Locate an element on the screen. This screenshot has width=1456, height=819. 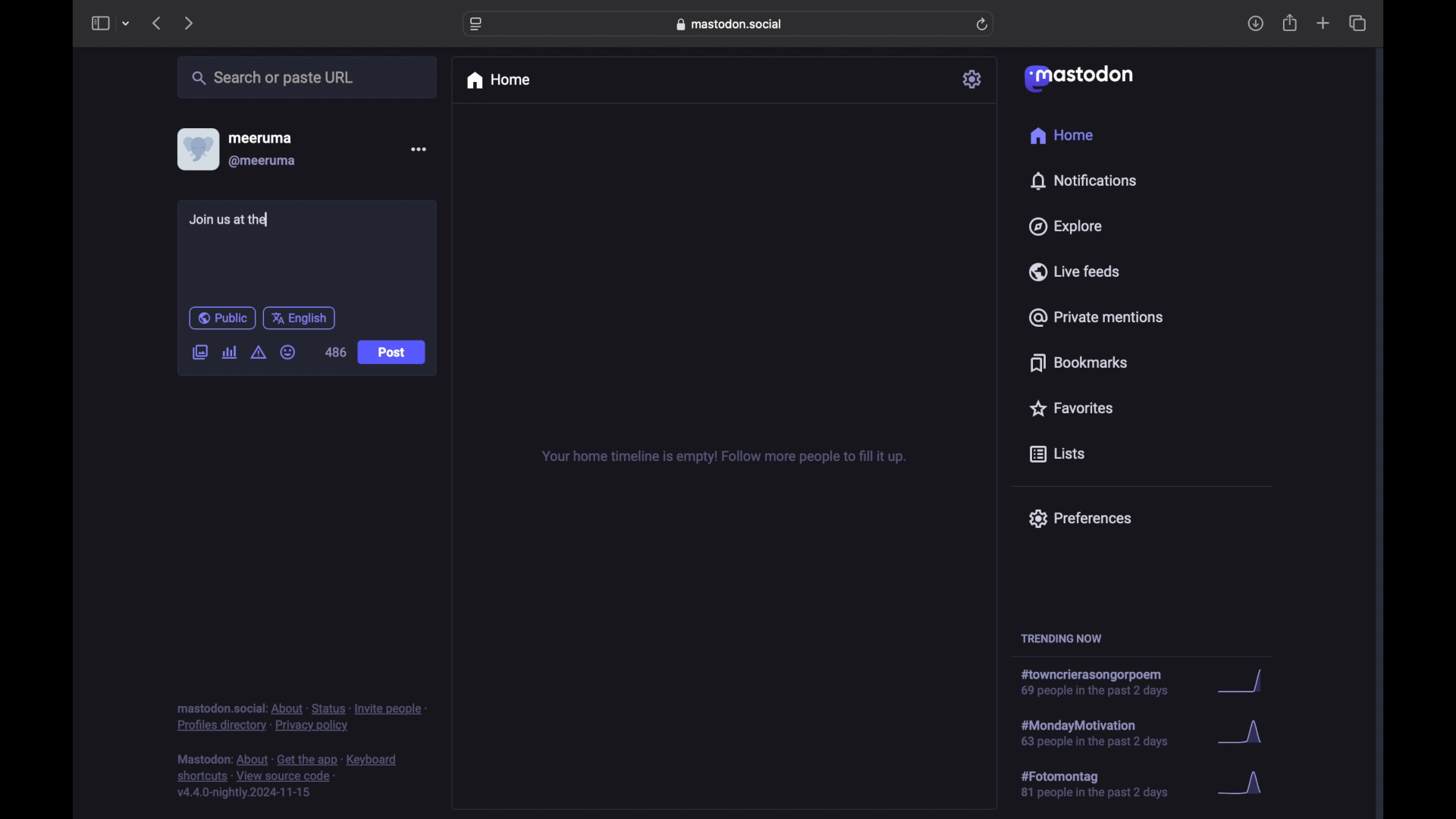
notifications is located at coordinates (1083, 180).